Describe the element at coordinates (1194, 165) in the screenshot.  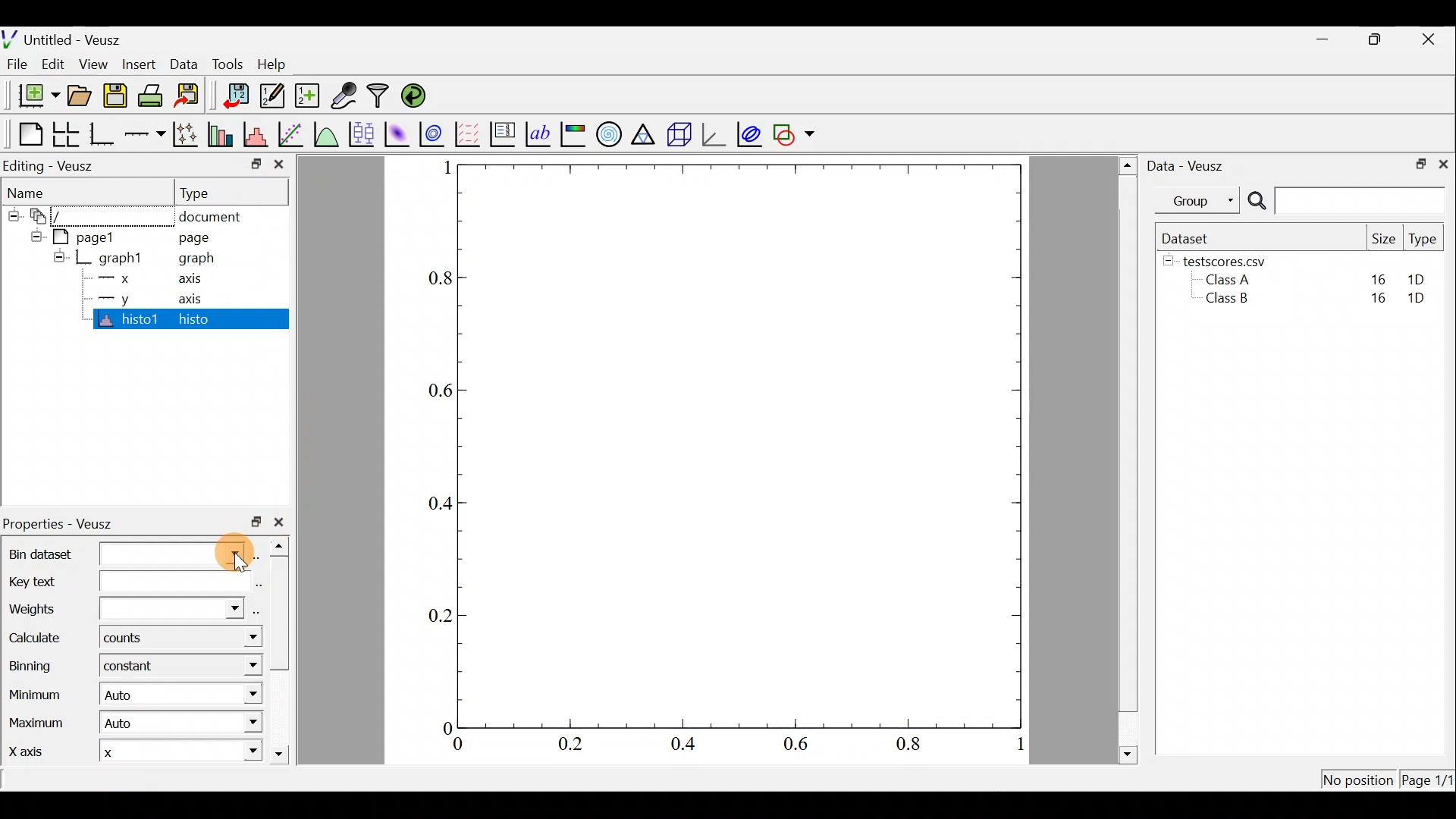
I see `Data - Veusz` at that location.